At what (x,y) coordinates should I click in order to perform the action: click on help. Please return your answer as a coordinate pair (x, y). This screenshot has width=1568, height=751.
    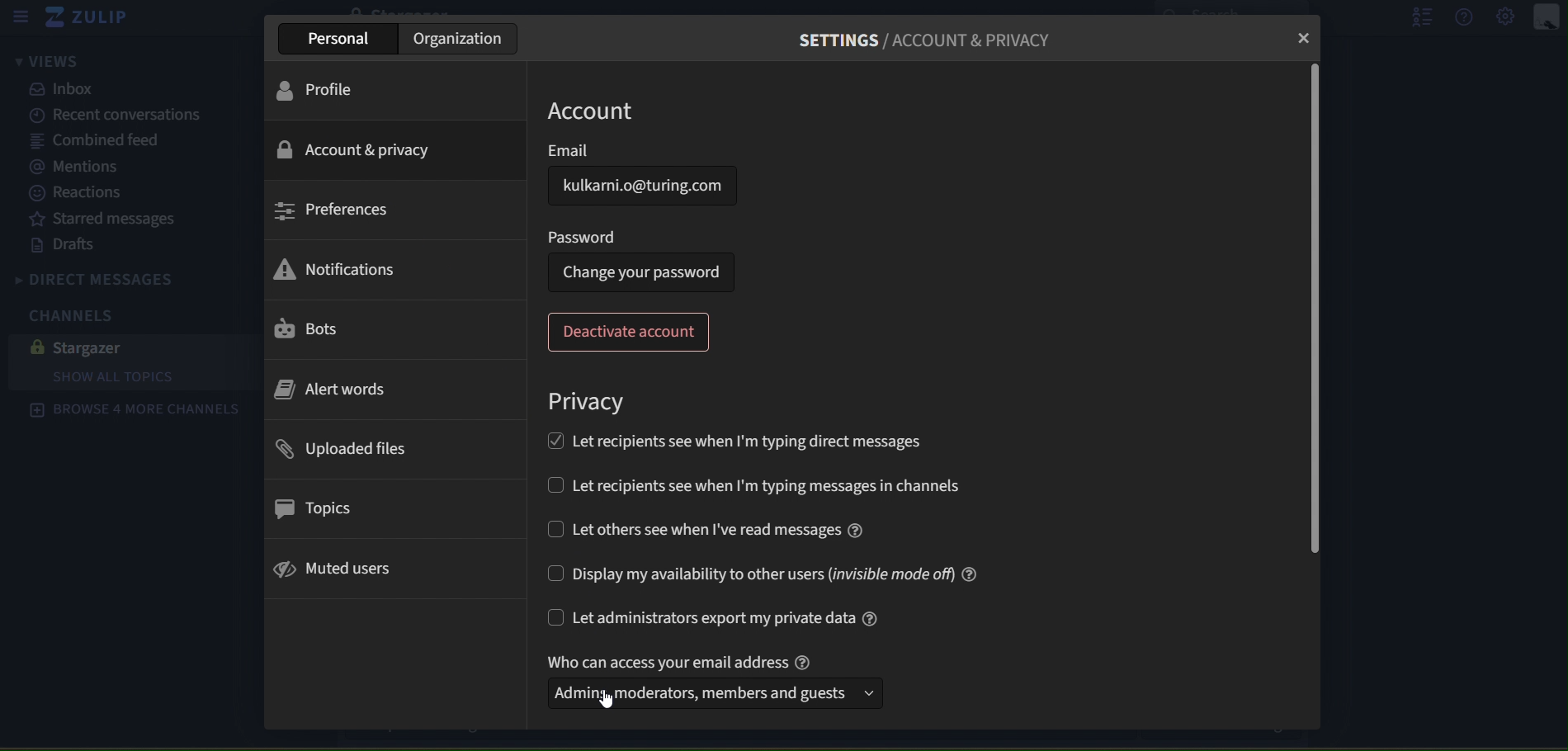
    Looking at the image, I should click on (1466, 17).